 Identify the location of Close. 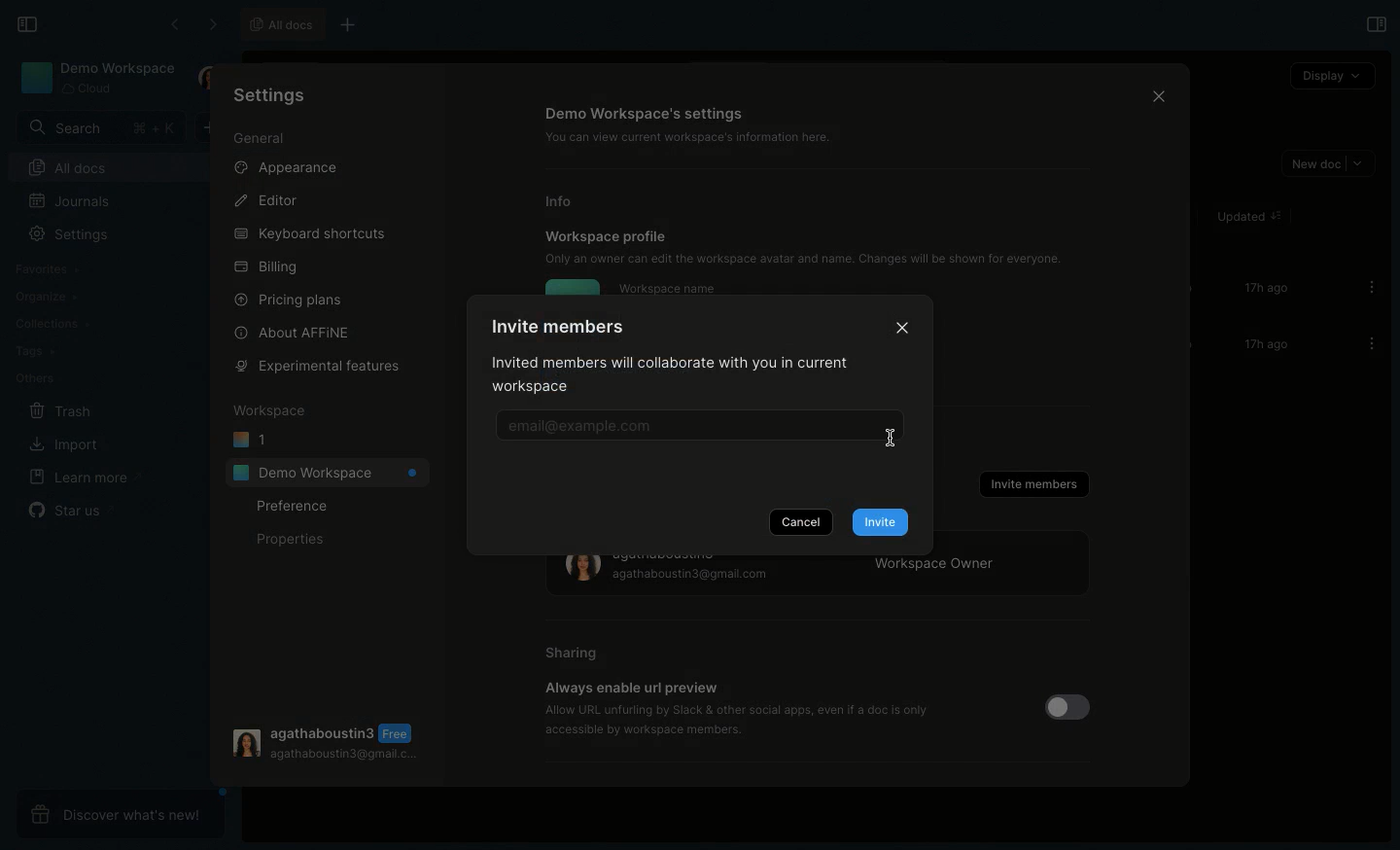
(903, 325).